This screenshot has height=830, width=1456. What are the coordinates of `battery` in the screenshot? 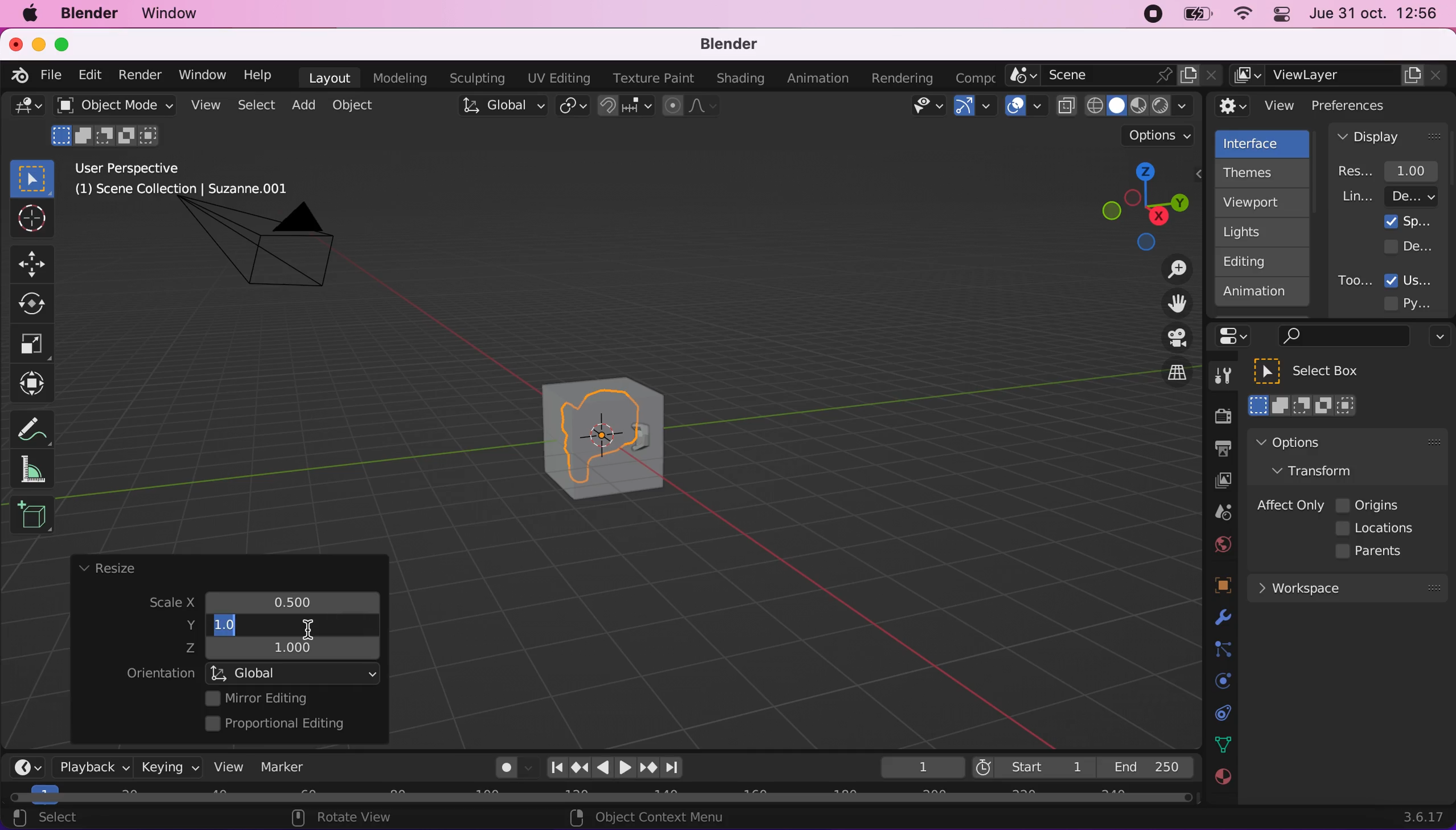 It's located at (1193, 17).